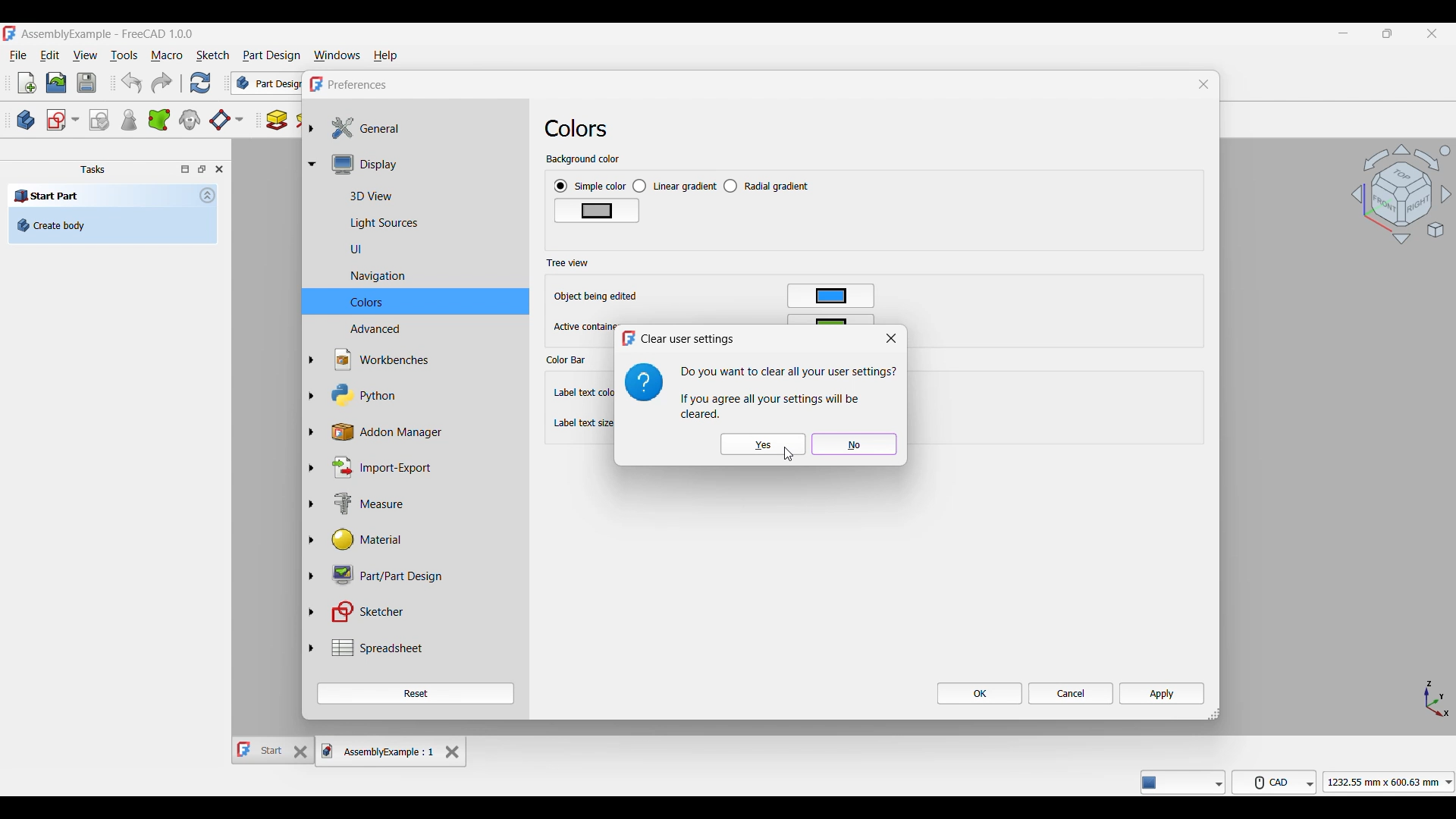 Image resolution: width=1456 pixels, height=819 pixels. What do you see at coordinates (789, 454) in the screenshot?
I see `Cursor` at bounding box center [789, 454].